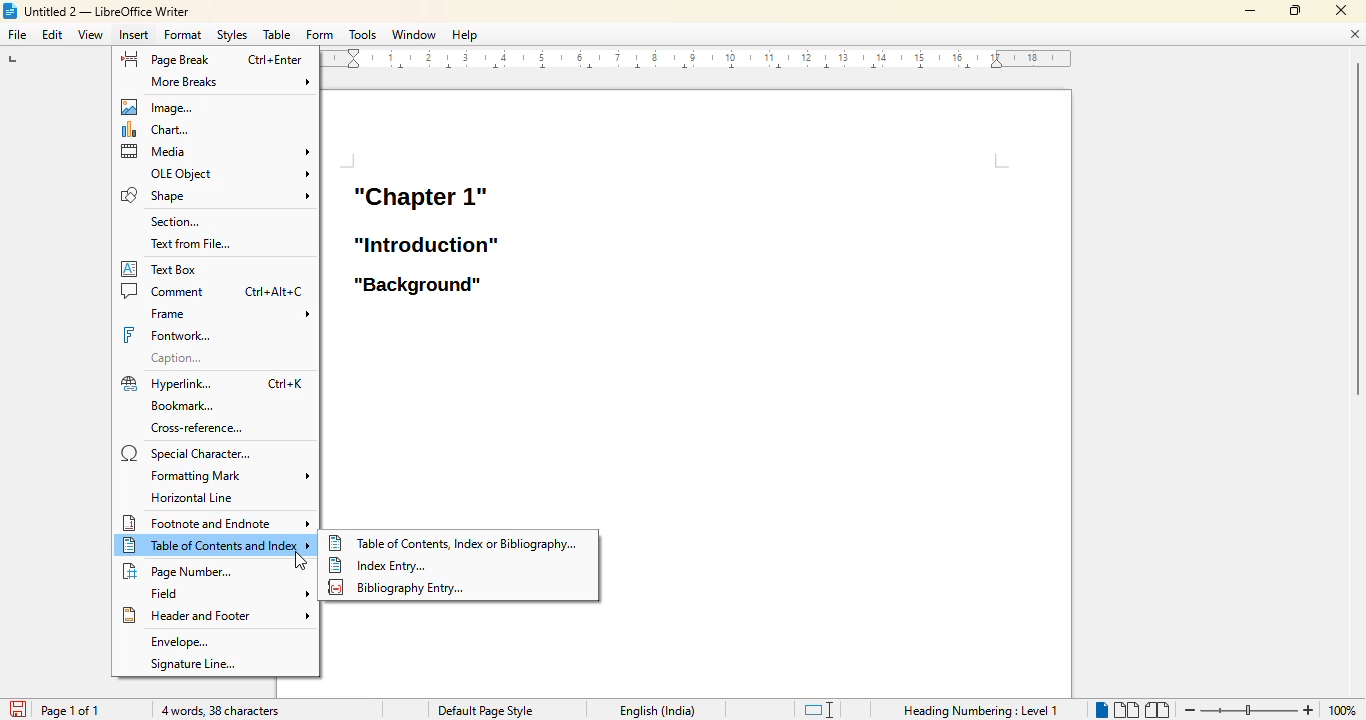  Describe the element at coordinates (216, 615) in the screenshot. I see `header and footer` at that location.